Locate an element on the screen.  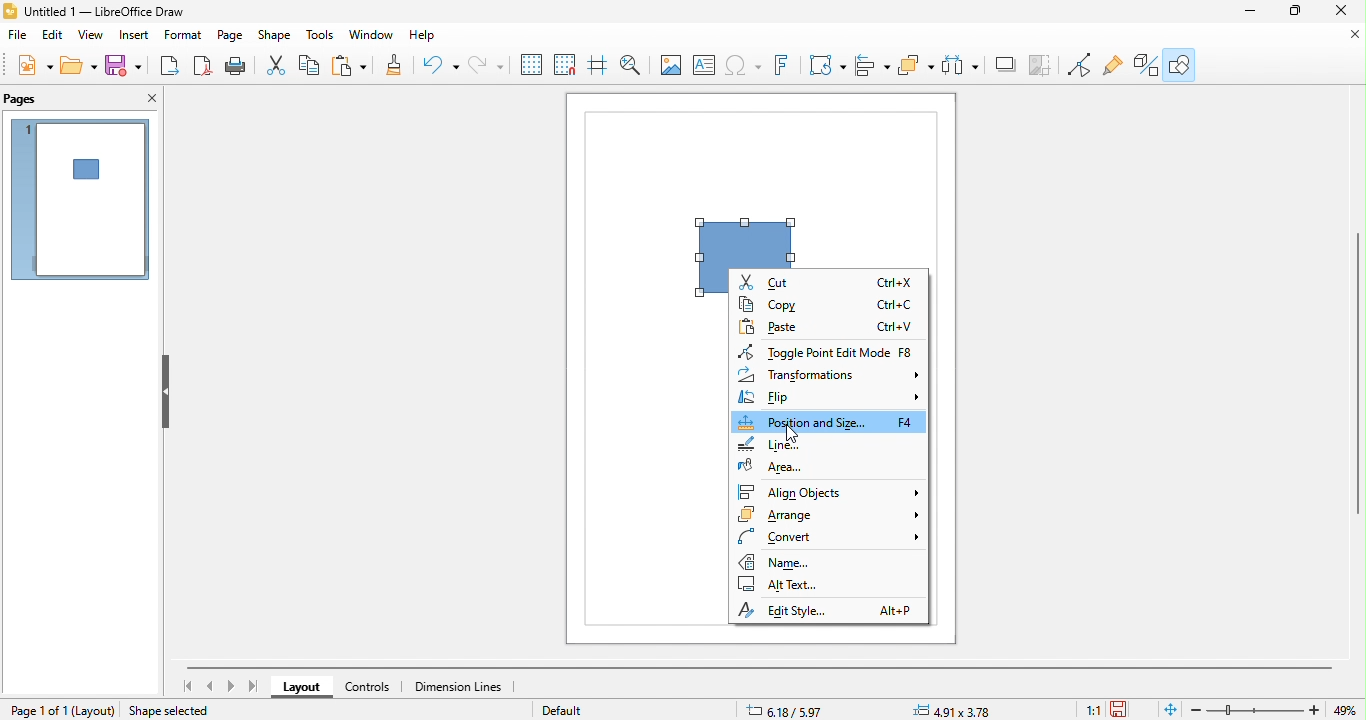
cut is located at coordinates (779, 281).